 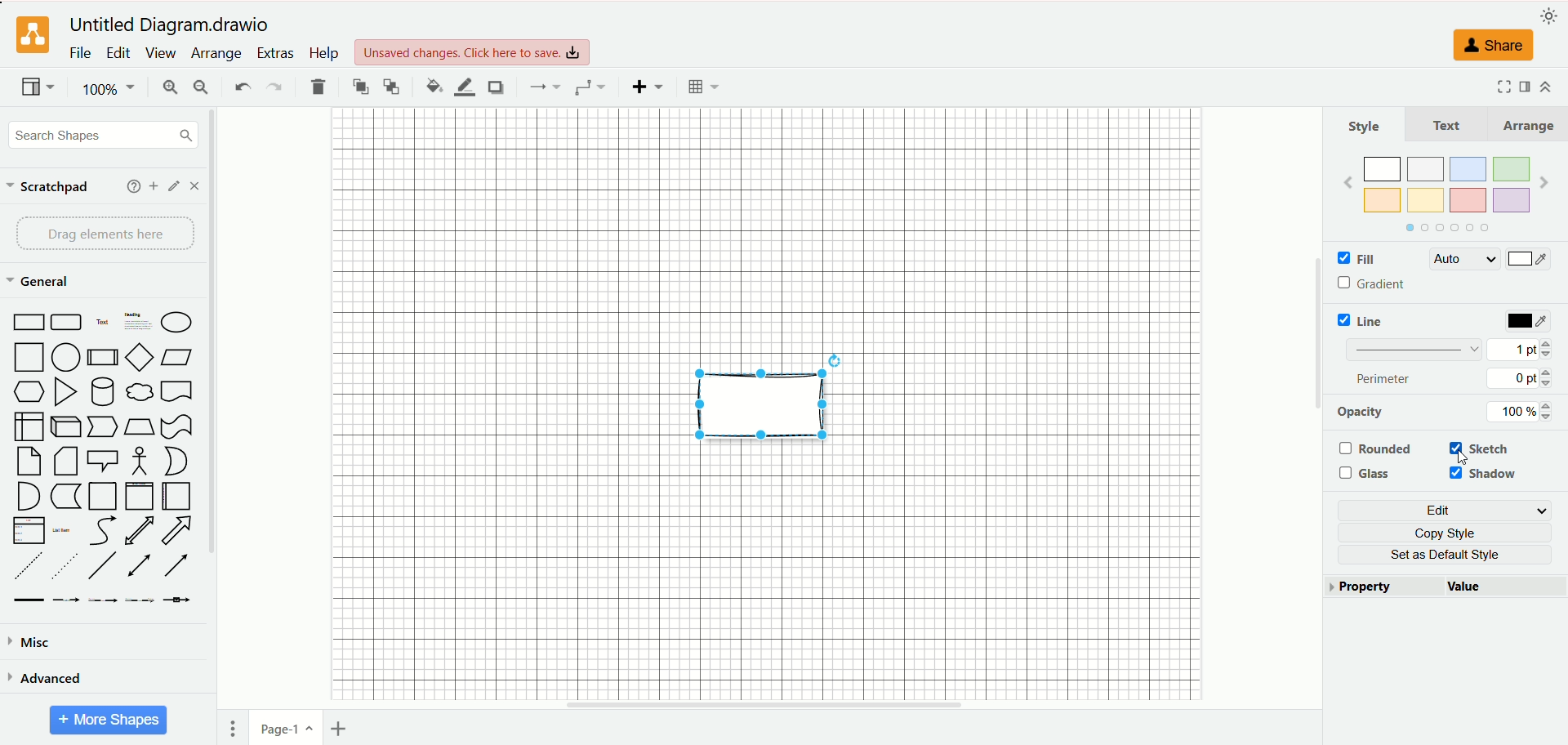 I want to click on auto, so click(x=1463, y=259).